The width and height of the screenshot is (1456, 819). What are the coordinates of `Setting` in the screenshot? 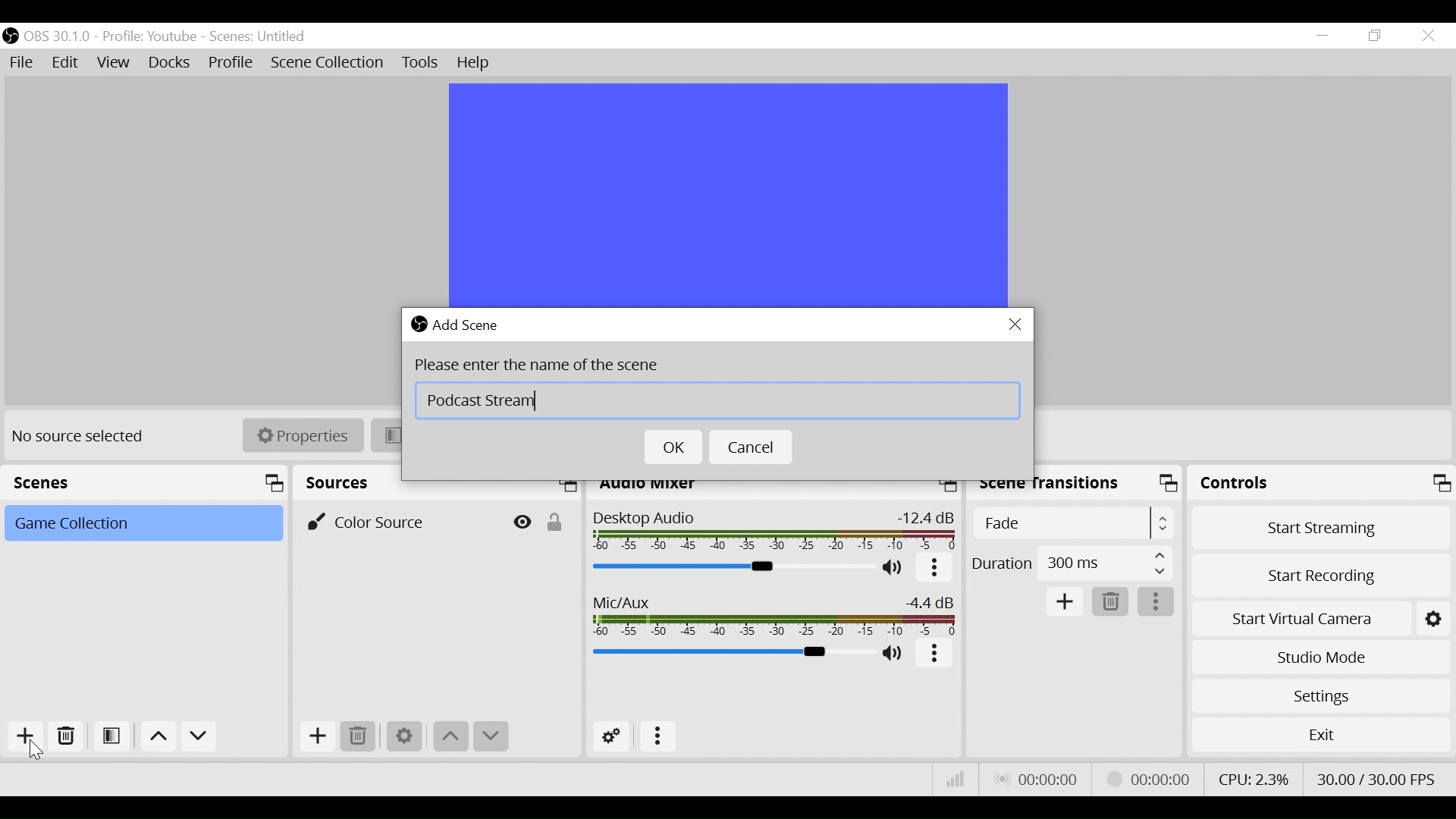 It's located at (1434, 616).